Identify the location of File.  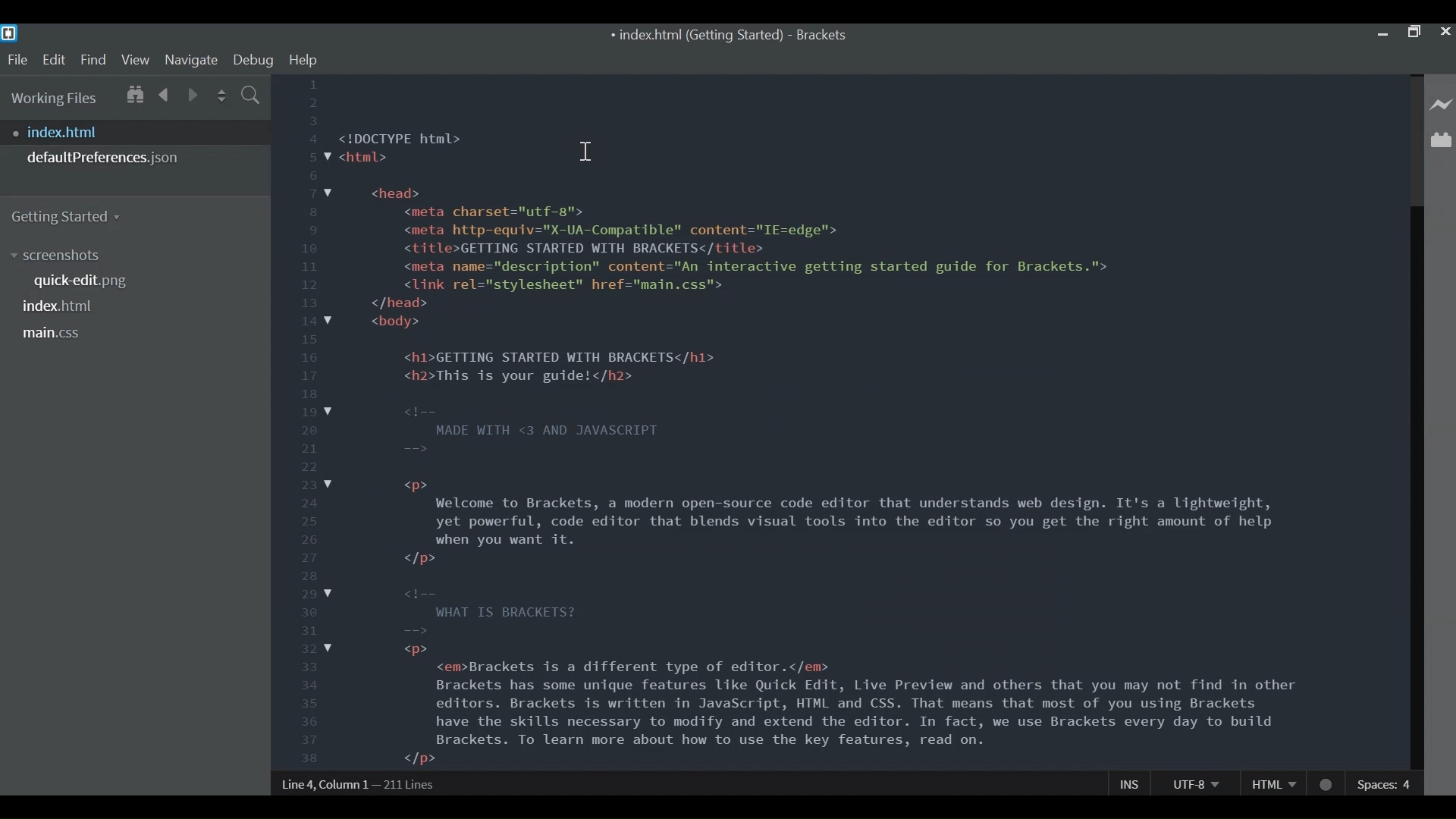
(17, 60).